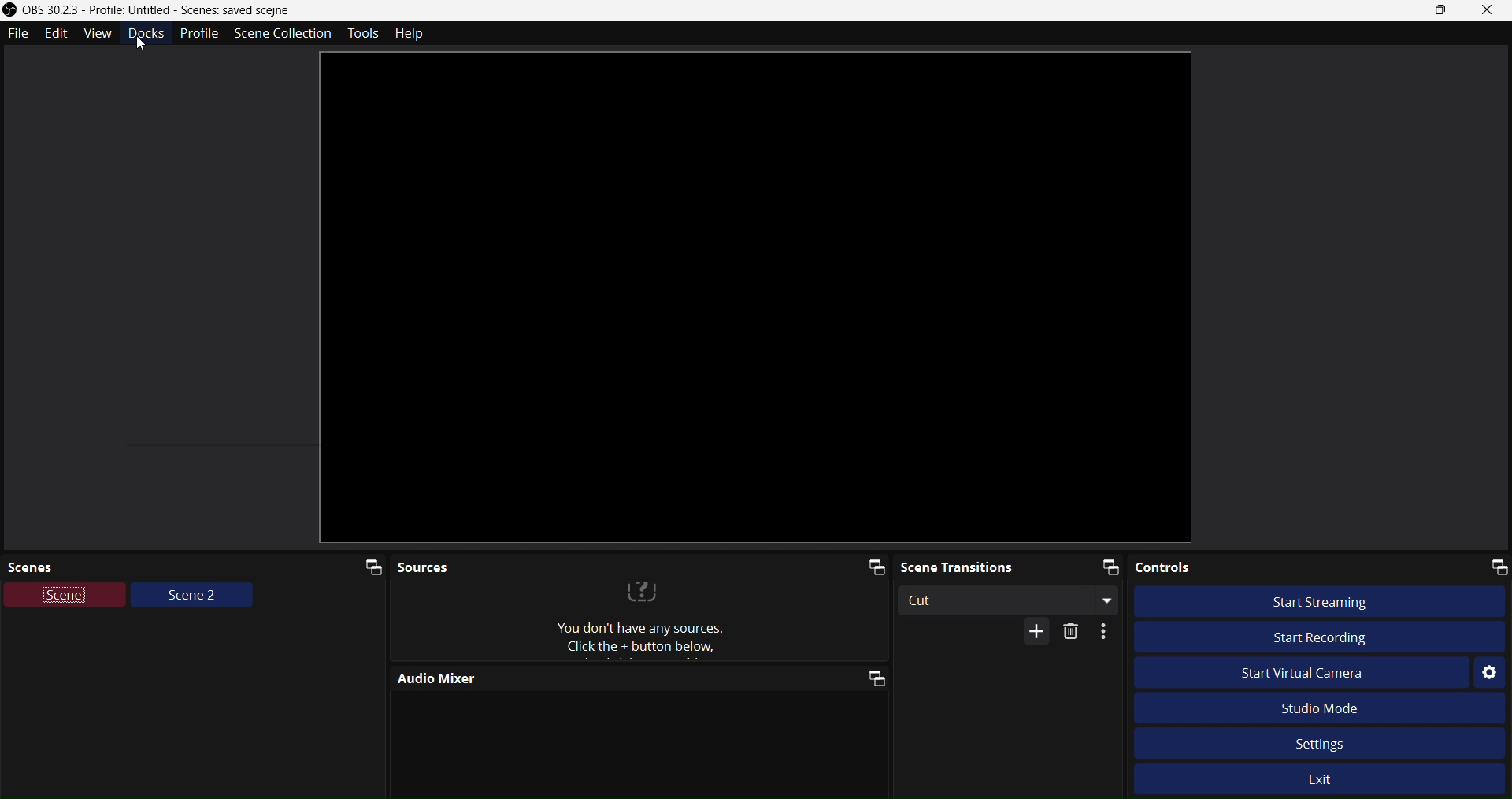 This screenshot has width=1512, height=799. Describe the element at coordinates (1320, 741) in the screenshot. I see `Settings` at that location.